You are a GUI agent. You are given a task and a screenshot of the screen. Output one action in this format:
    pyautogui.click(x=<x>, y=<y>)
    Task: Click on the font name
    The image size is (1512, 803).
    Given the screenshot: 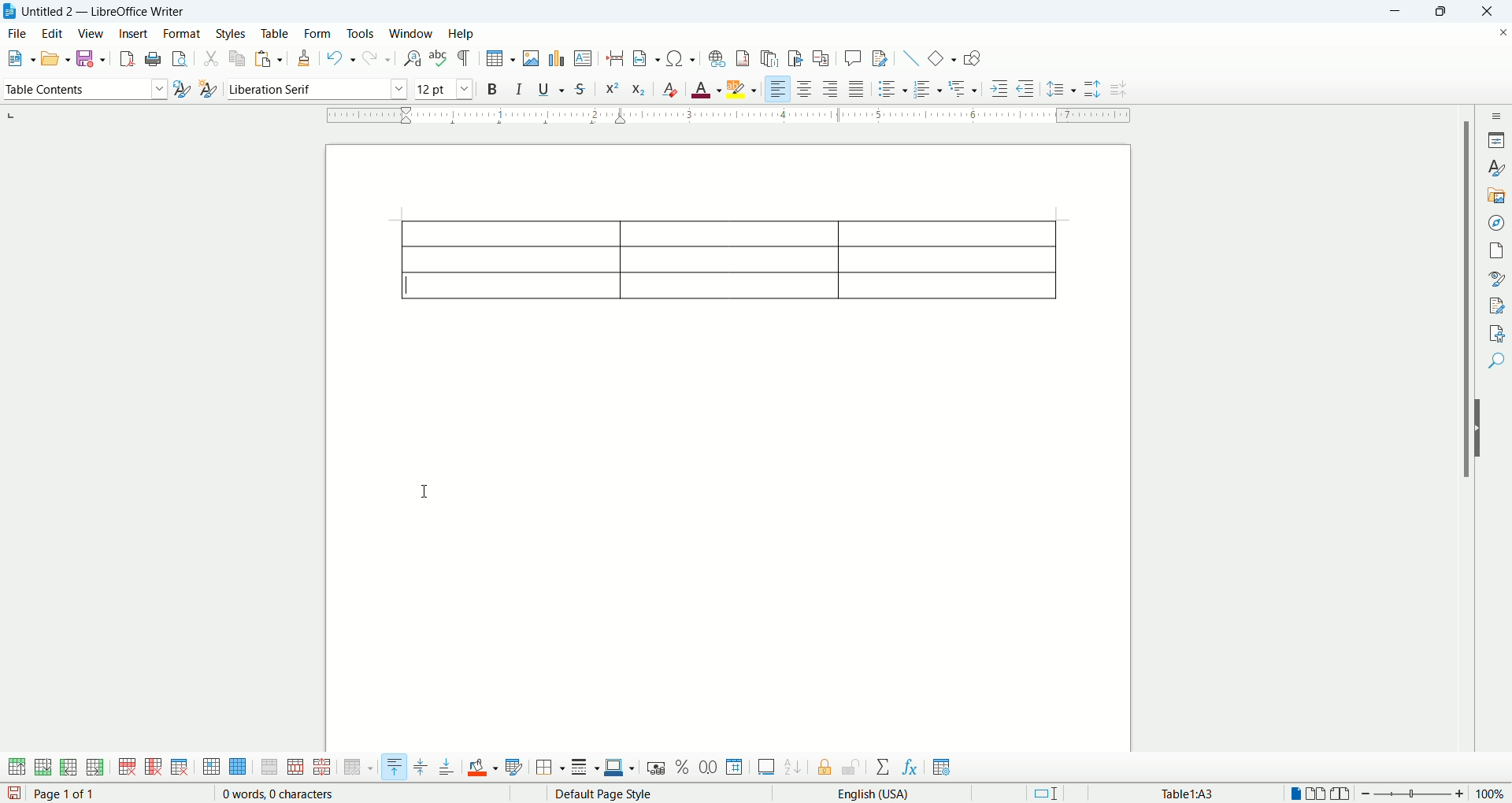 What is the action you would take?
    pyautogui.click(x=315, y=87)
    